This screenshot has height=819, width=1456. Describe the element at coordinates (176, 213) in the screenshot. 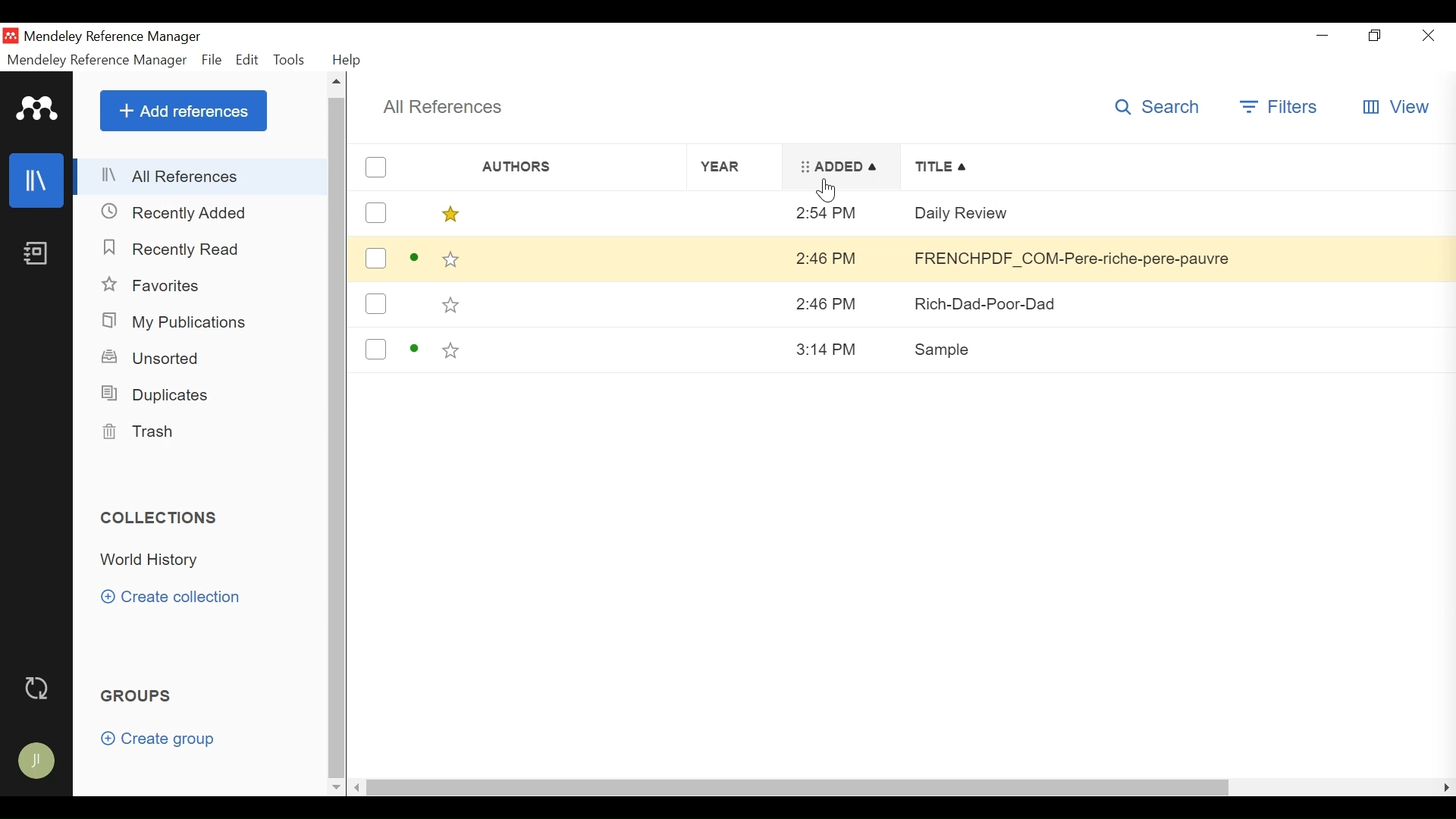

I see `Recently Added` at that location.